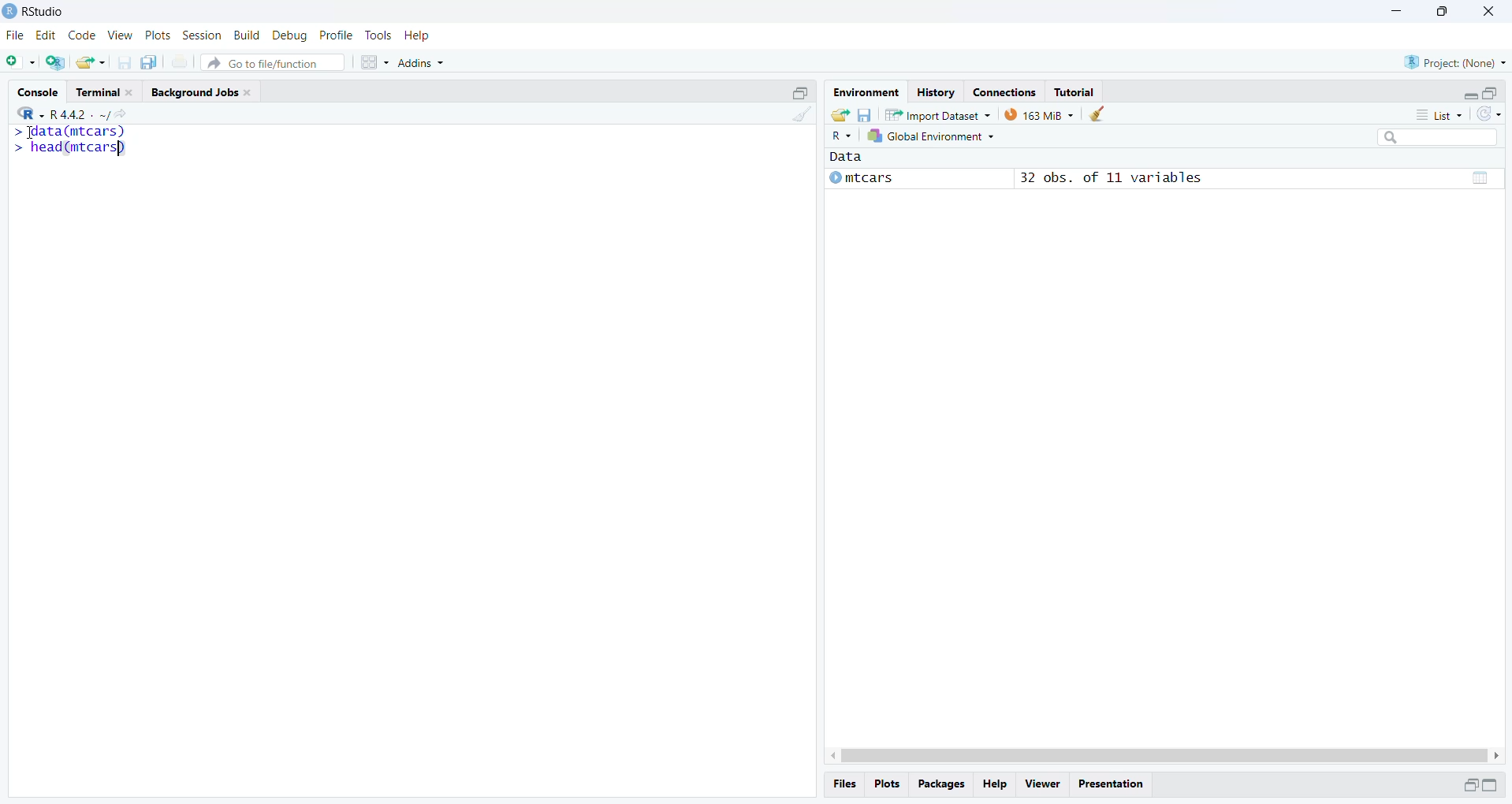 Image resolution: width=1512 pixels, height=804 pixels. What do you see at coordinates (55, 62) in the screenshot?
I see `add file` at bounding box center [55, 62].